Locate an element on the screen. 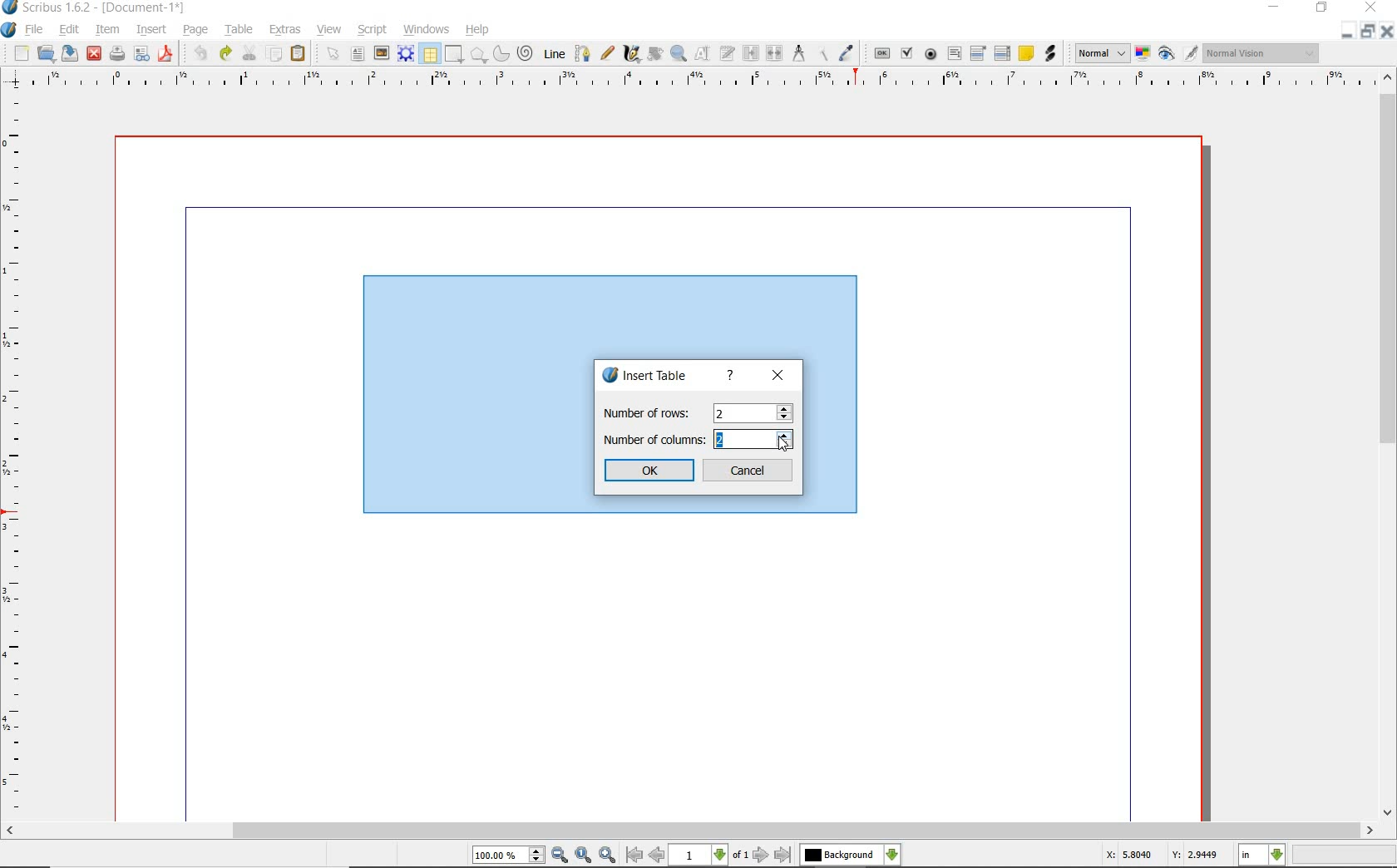  help is located at coordinates (477, 30).